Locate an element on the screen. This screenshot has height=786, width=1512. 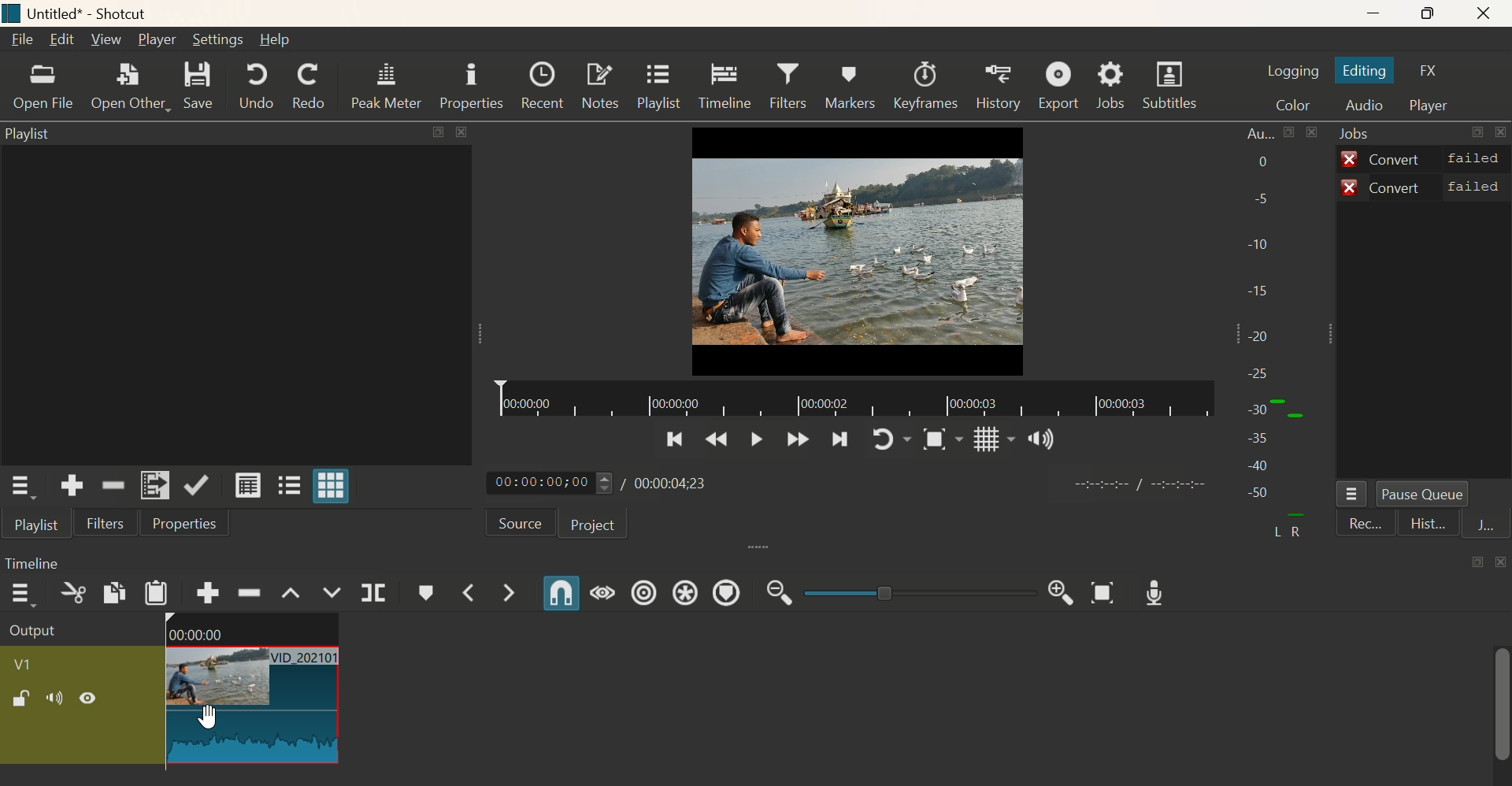
Maximise is located at coordinates (1435, 14).